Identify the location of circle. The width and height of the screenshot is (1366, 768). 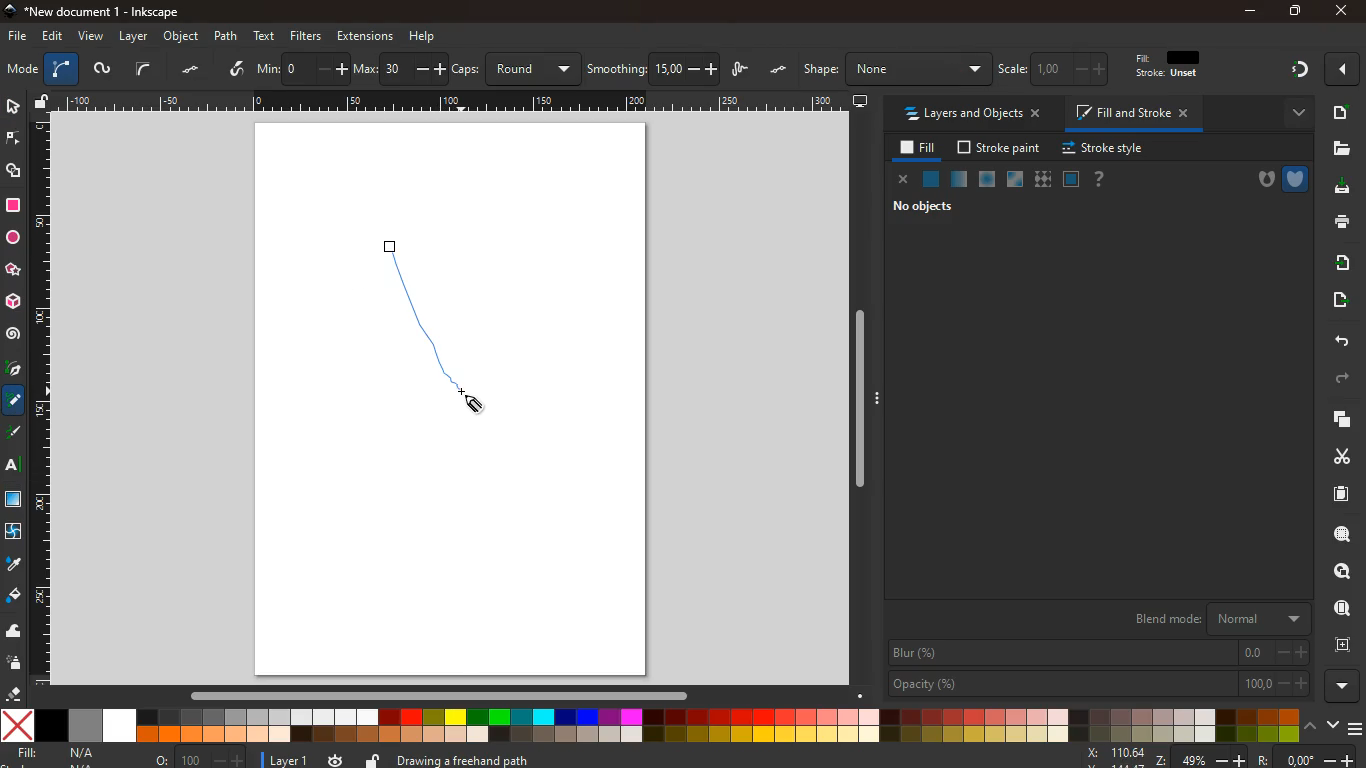
(12, 238).